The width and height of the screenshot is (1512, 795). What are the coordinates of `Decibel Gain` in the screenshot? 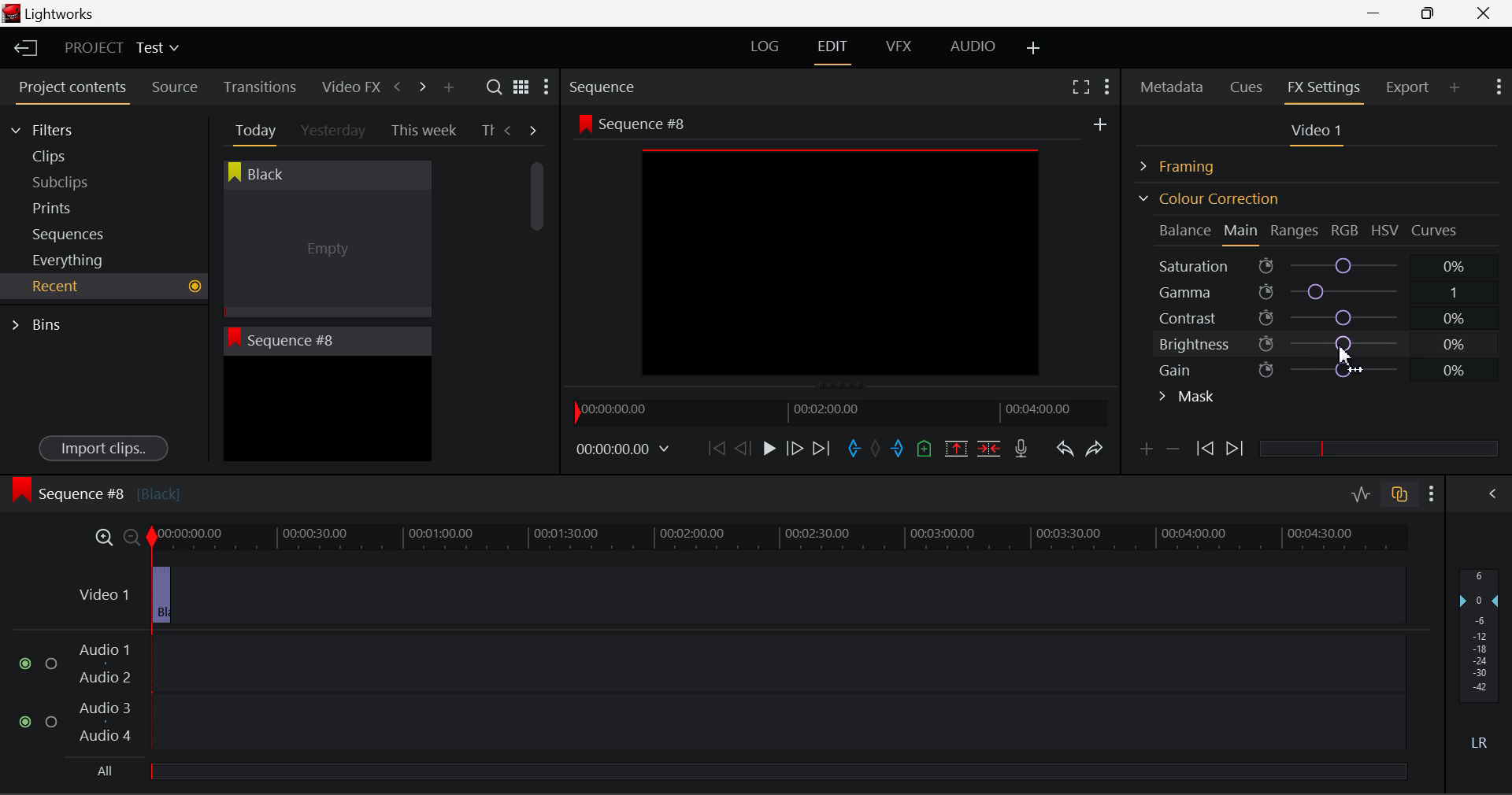 It's located at (1478, 663).